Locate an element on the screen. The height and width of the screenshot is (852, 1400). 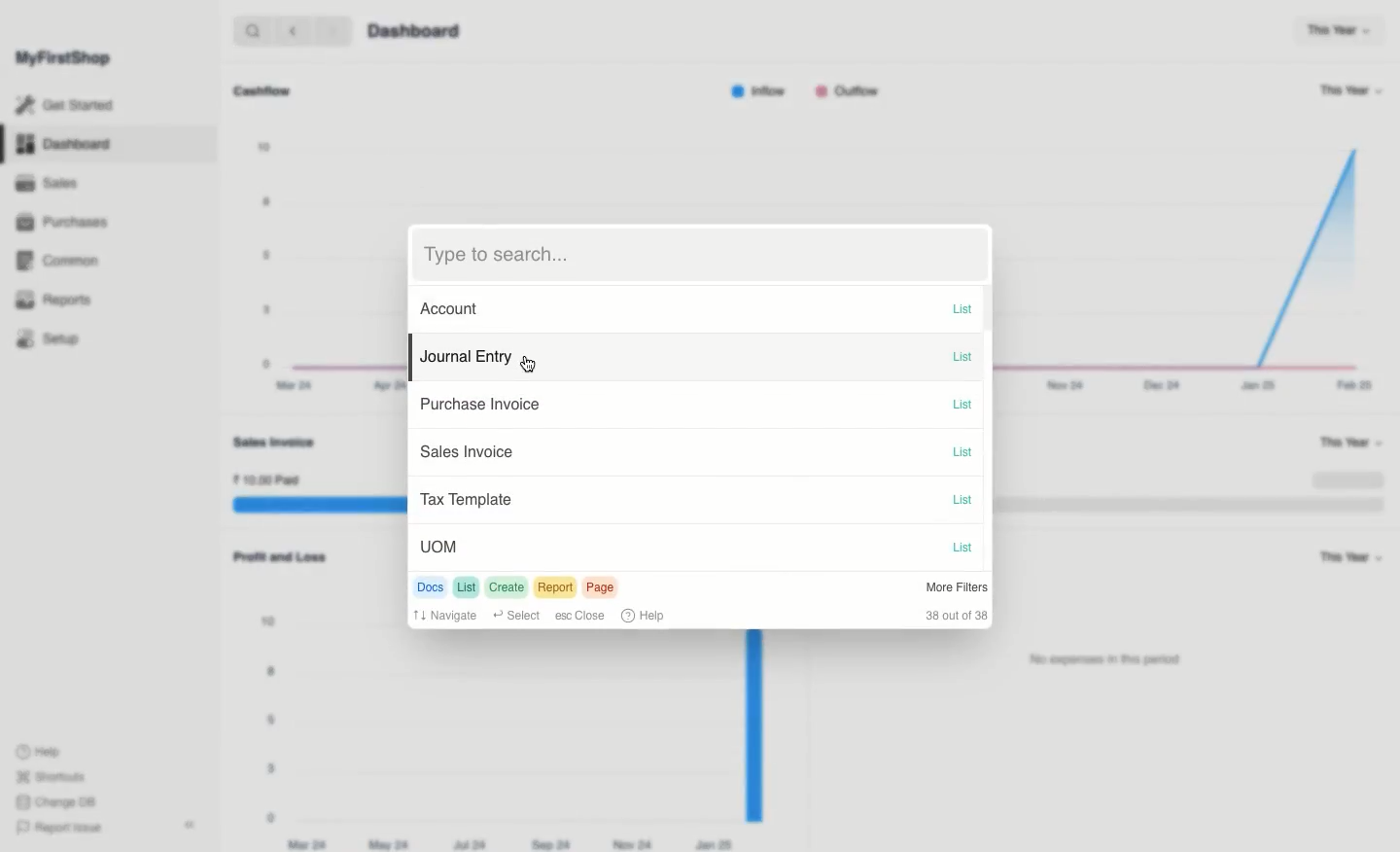
This Year is located at coordinates (1345, 558).